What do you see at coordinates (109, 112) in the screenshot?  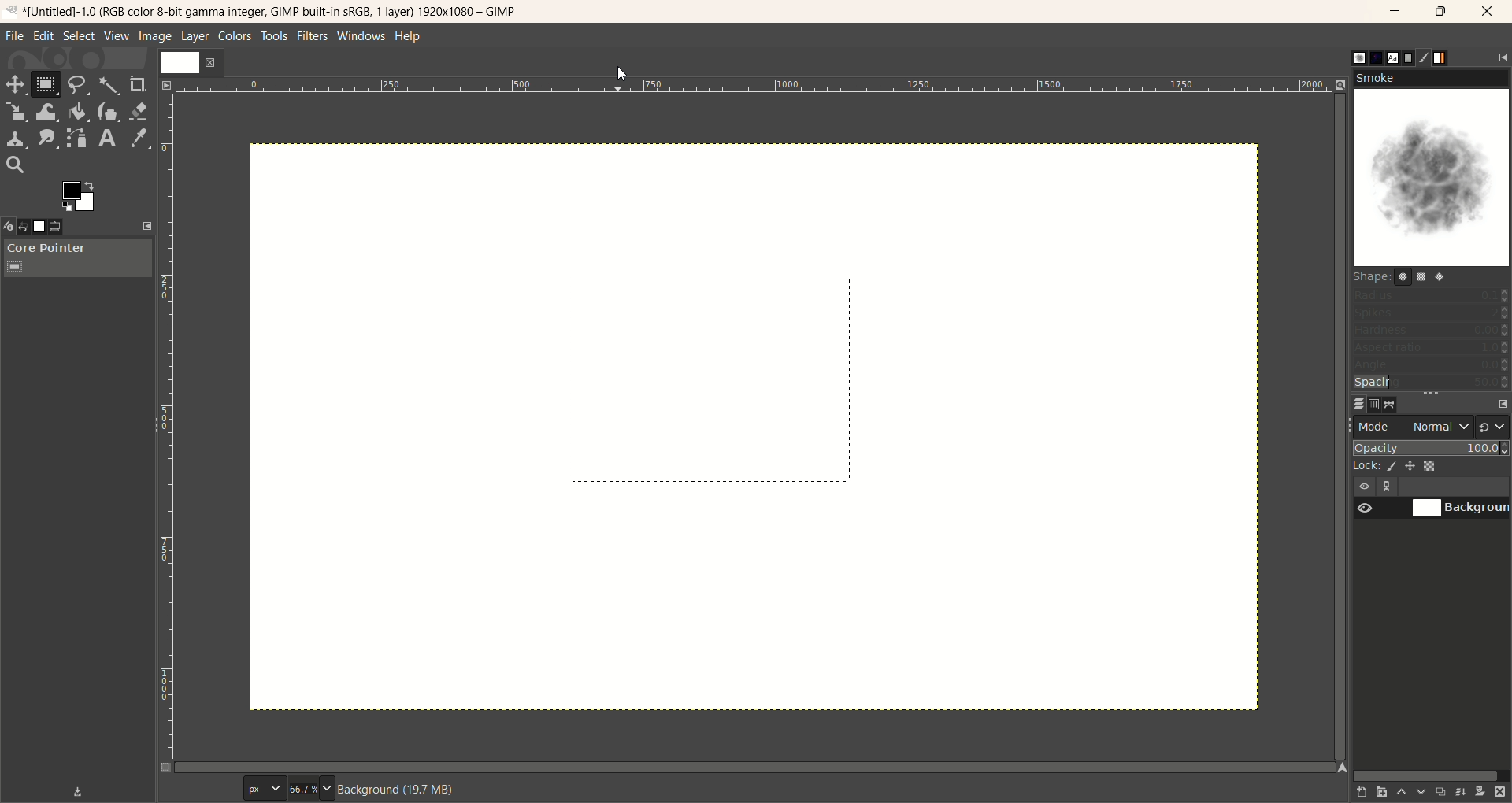 I see `ink tool` at bounding box center [109, 112].